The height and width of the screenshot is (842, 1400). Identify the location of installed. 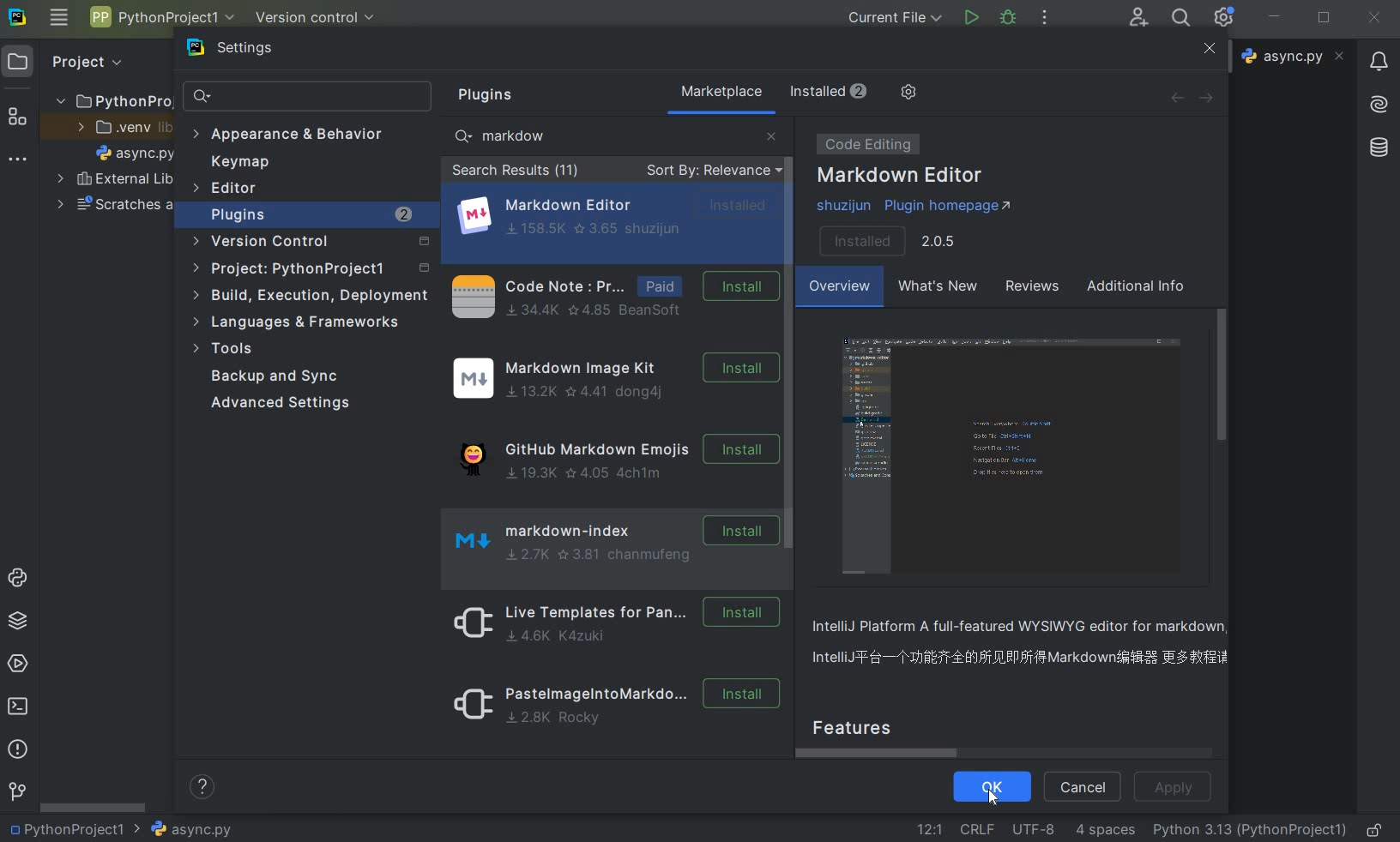
(888, 239).